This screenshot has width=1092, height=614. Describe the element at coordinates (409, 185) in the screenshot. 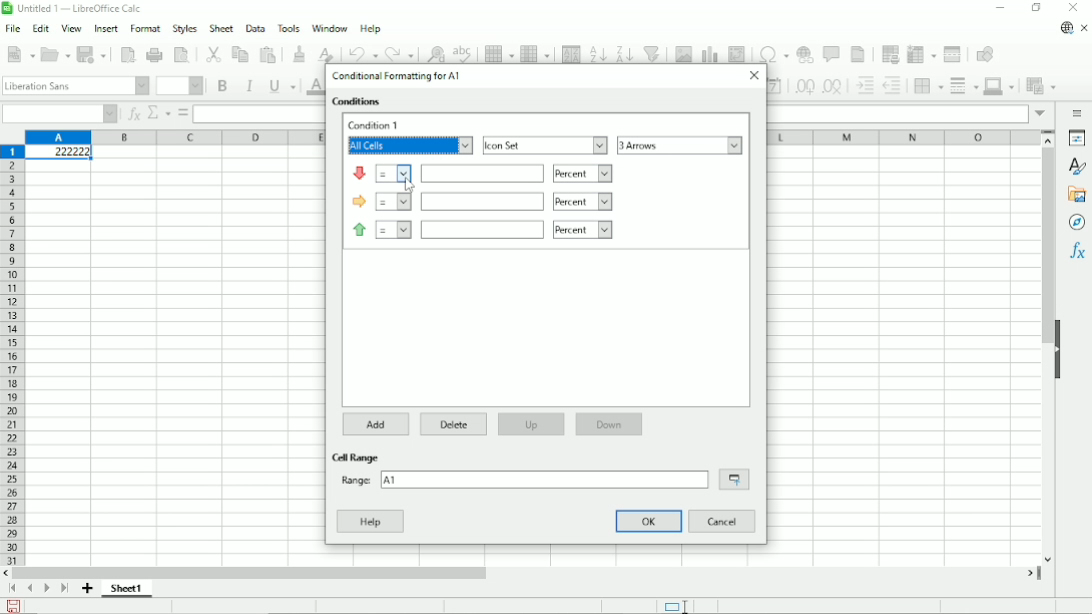

I see `cursor` at that location.